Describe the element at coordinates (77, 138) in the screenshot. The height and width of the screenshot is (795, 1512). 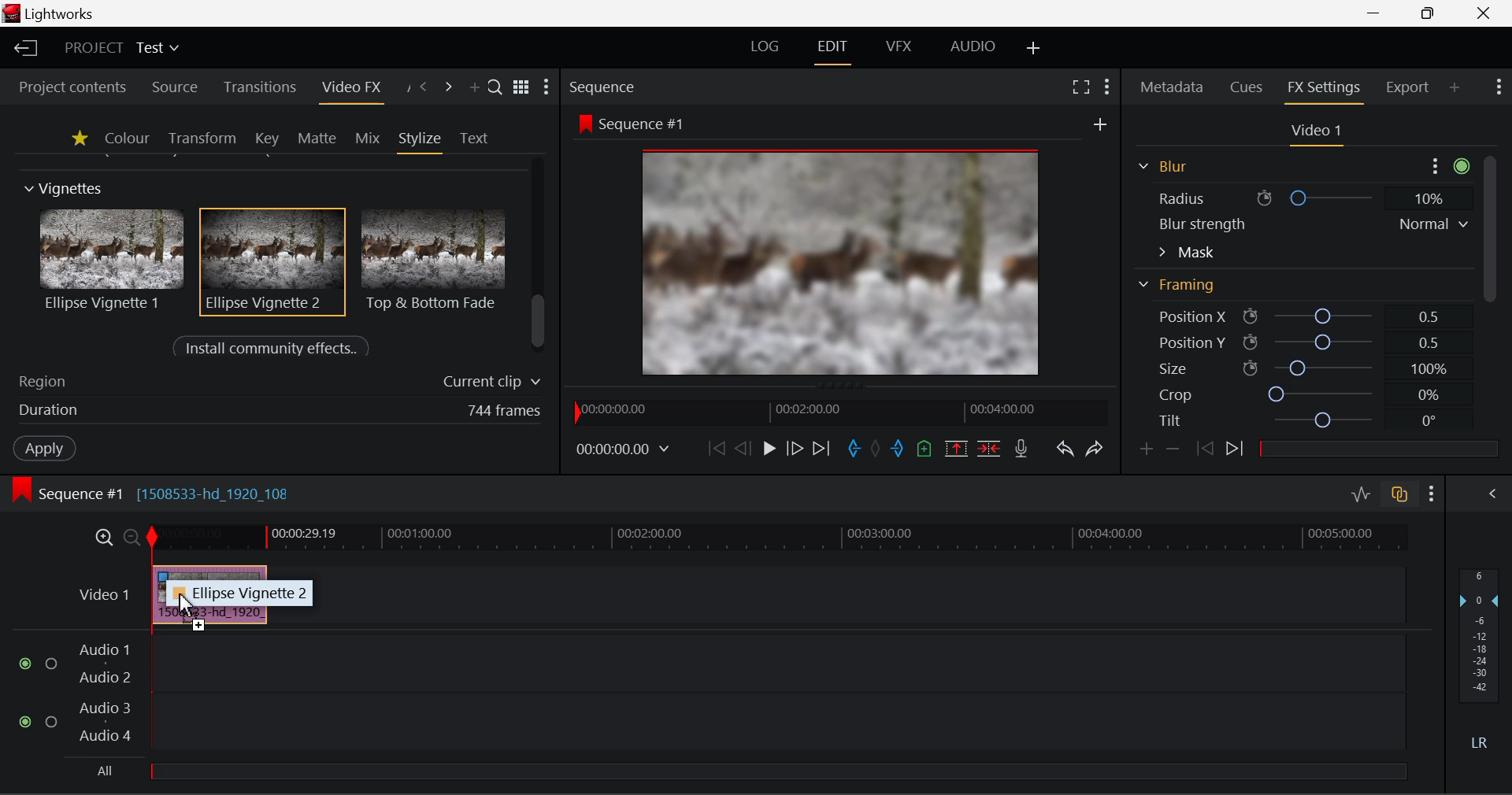
I see `Favourites` at that location.